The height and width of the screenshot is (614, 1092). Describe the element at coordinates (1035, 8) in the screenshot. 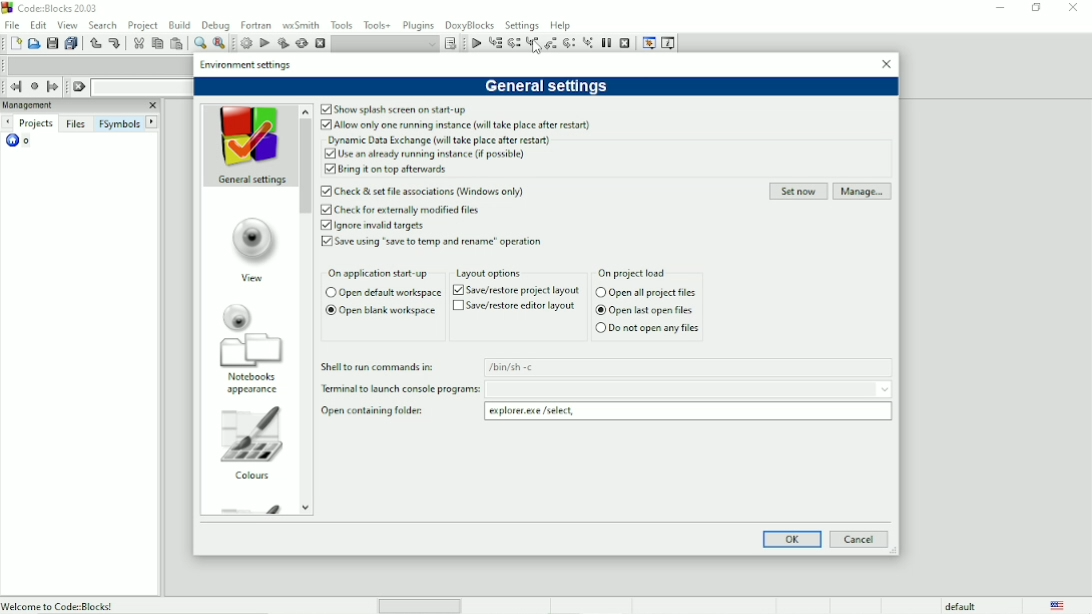

I see `Restore down` at that location.